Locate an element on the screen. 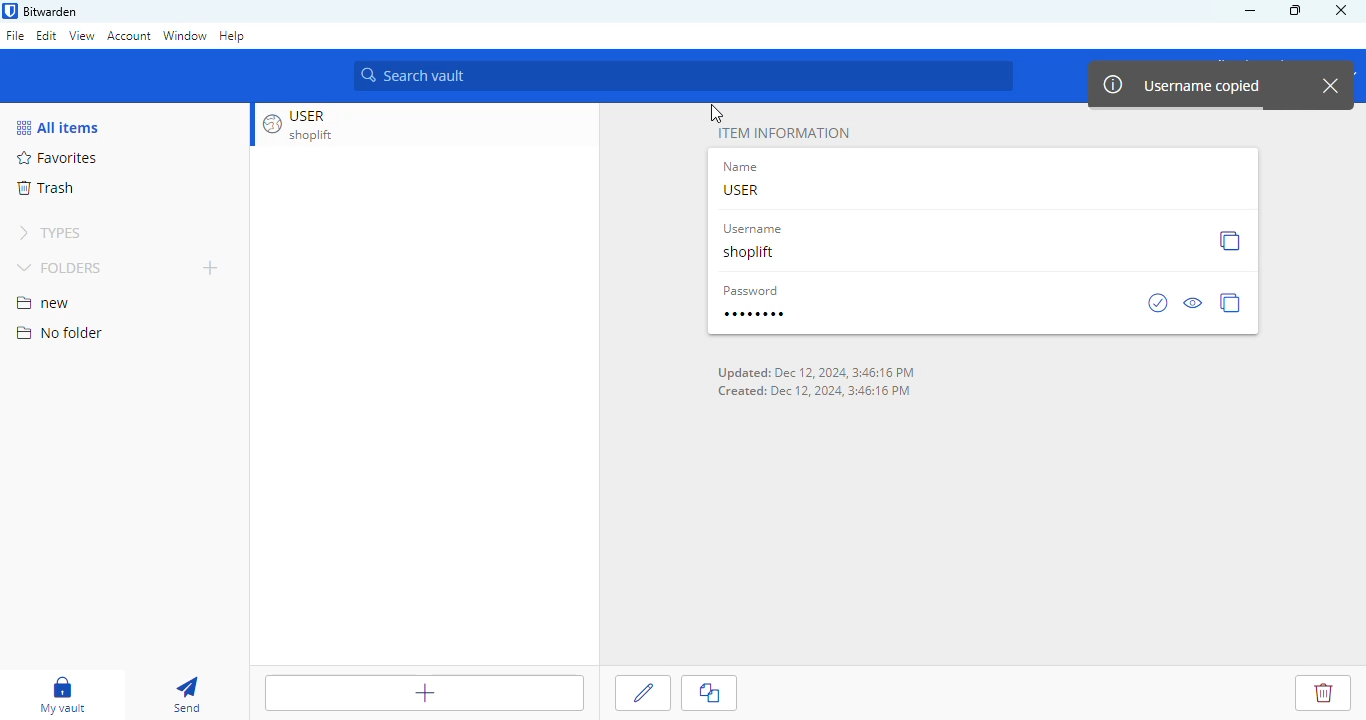 This screenshot has height=720, width=1366. new is located at coordinates (44, 303).